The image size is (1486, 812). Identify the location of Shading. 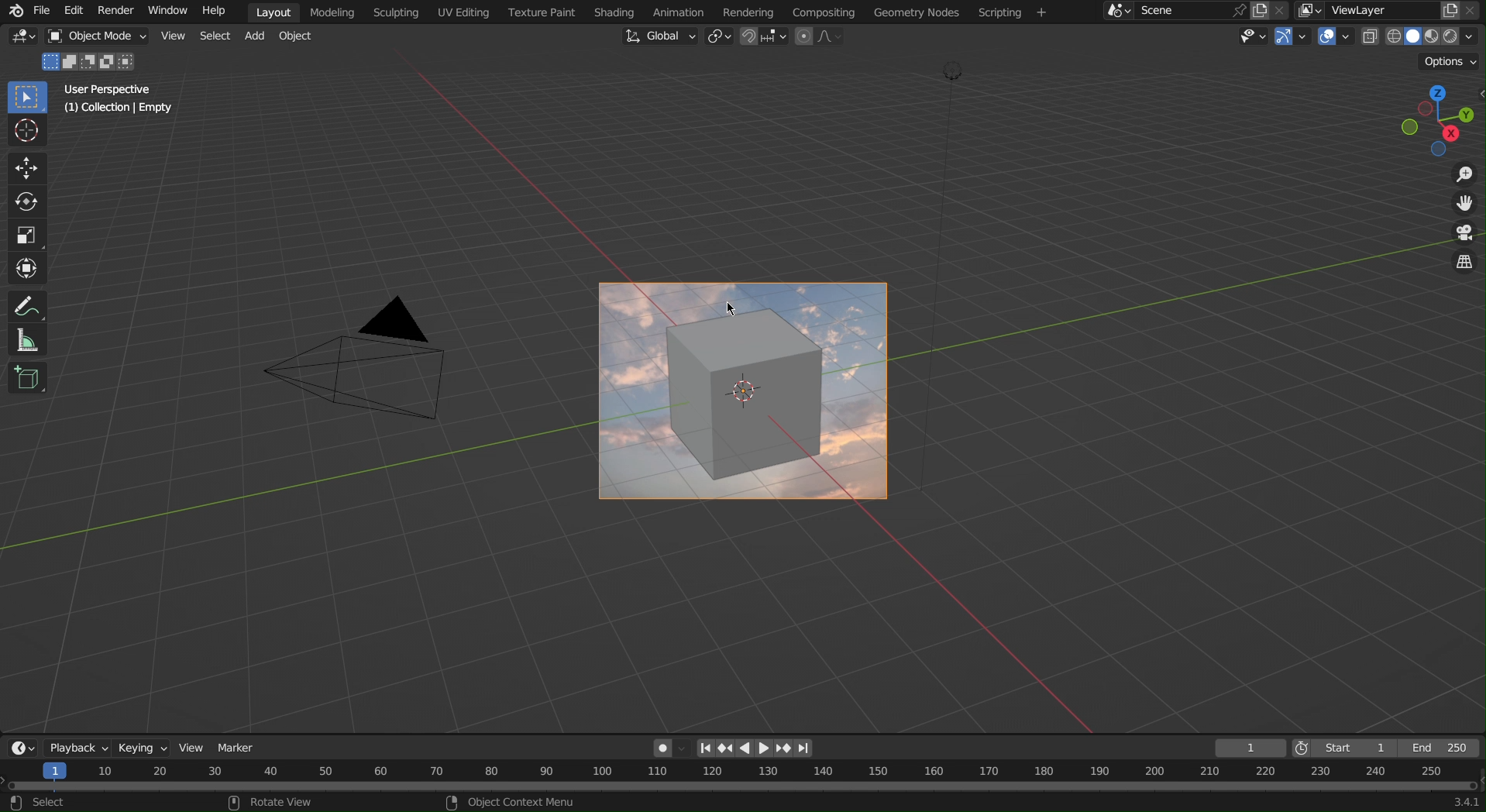
(611, 12).